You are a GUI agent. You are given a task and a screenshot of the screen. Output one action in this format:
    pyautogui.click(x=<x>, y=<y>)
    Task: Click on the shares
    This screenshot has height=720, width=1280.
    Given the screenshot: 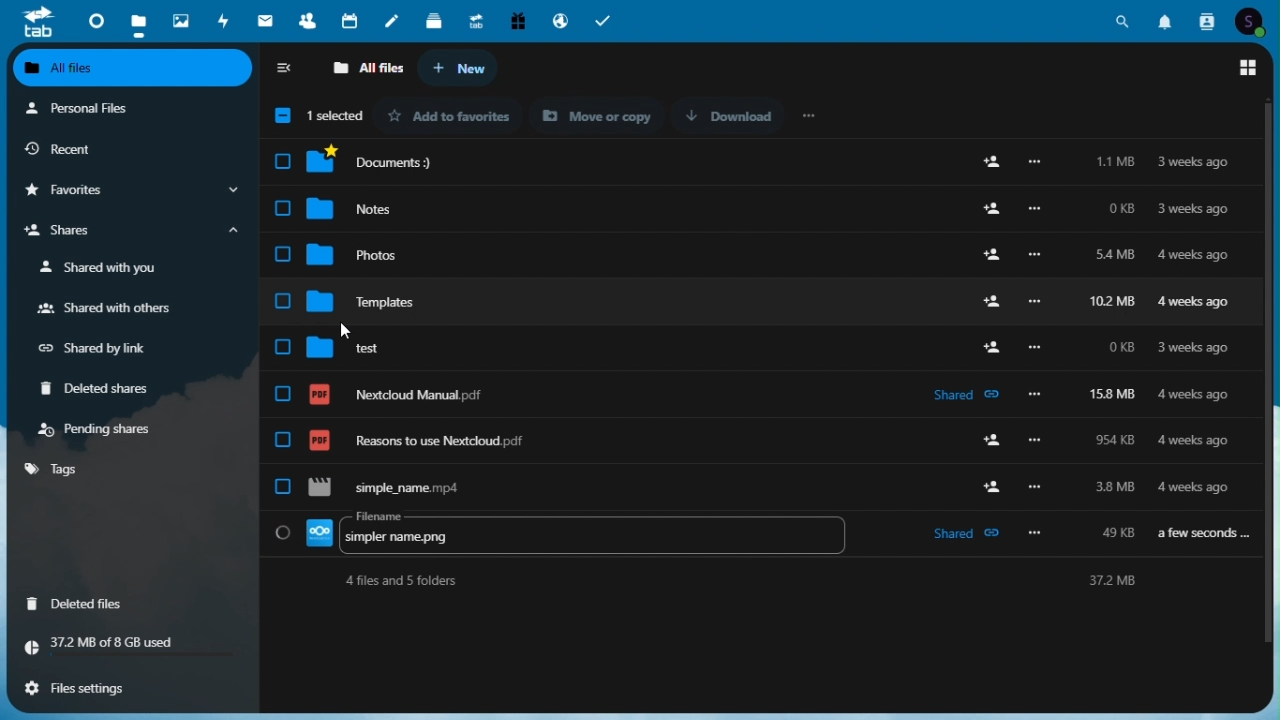 What is the action you would take?
    pyautogui.click(x=129, y=233)
    